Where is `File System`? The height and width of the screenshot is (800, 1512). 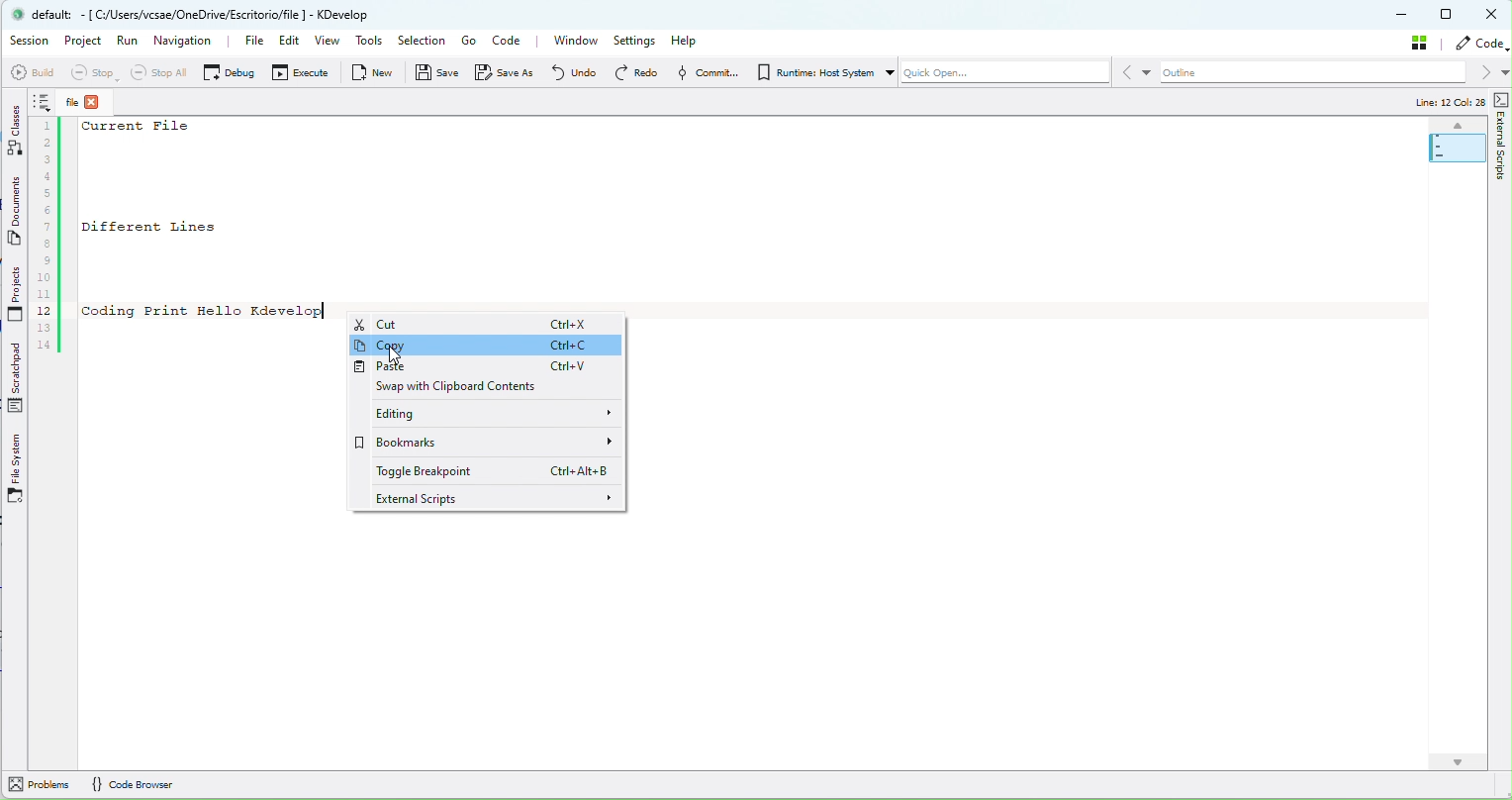
File System is located at coordinates (16, 469).